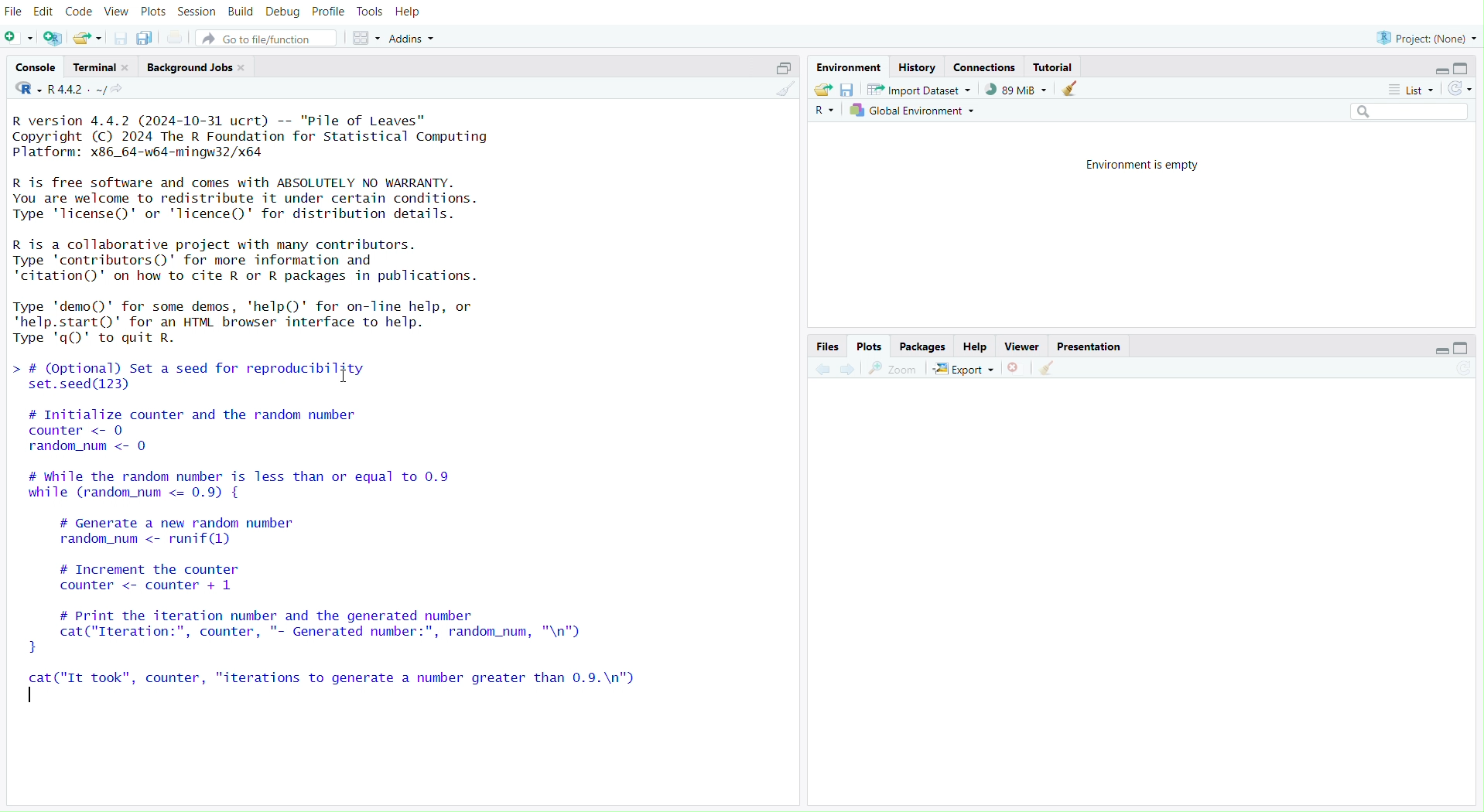 This screenshot has height=812, width=1484. I want to click on Presentation, so click(1092, 346).